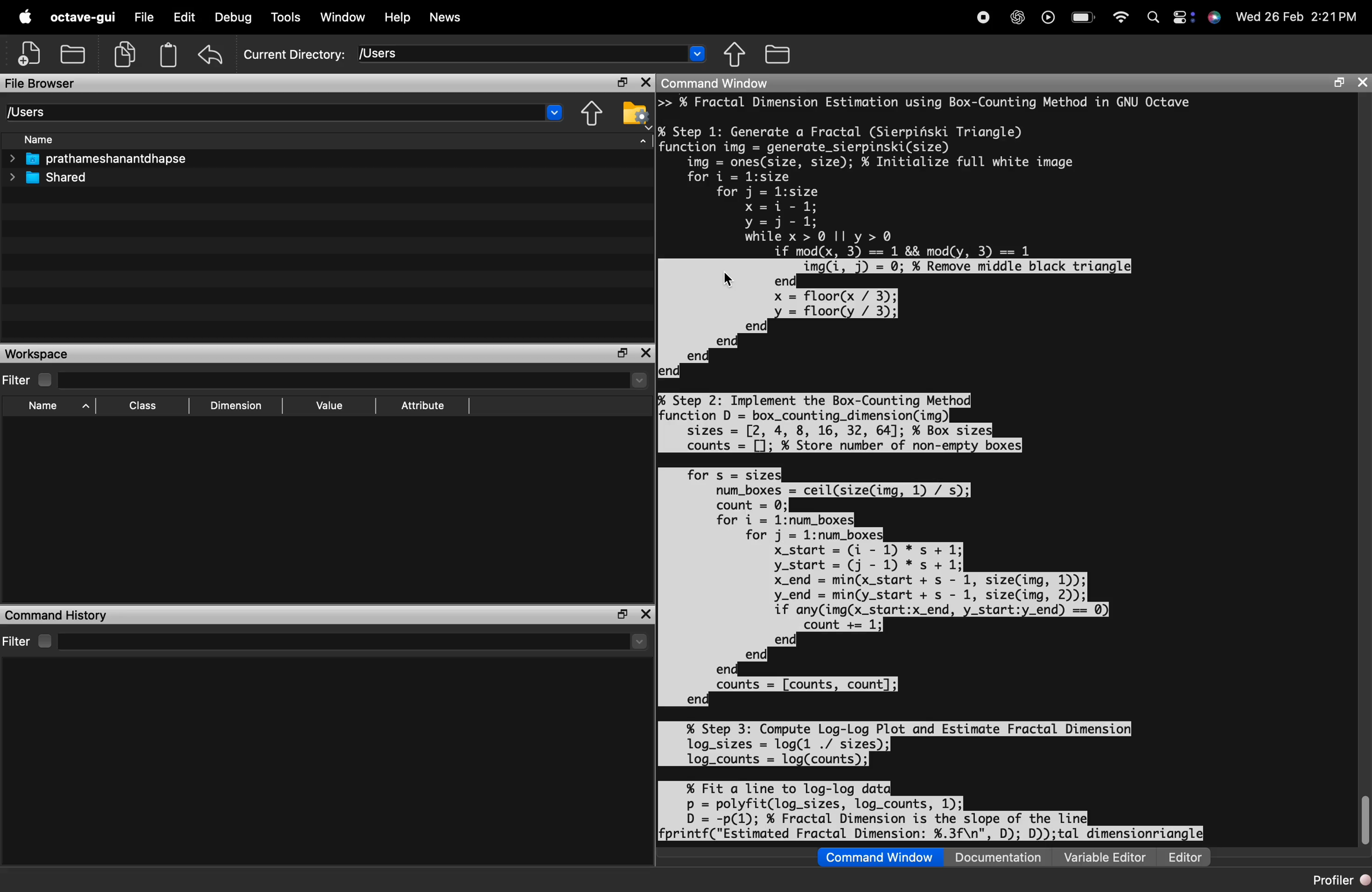  Describe the element at coordinates (29, 642) in the screenshot. I see `Filter` at that location.